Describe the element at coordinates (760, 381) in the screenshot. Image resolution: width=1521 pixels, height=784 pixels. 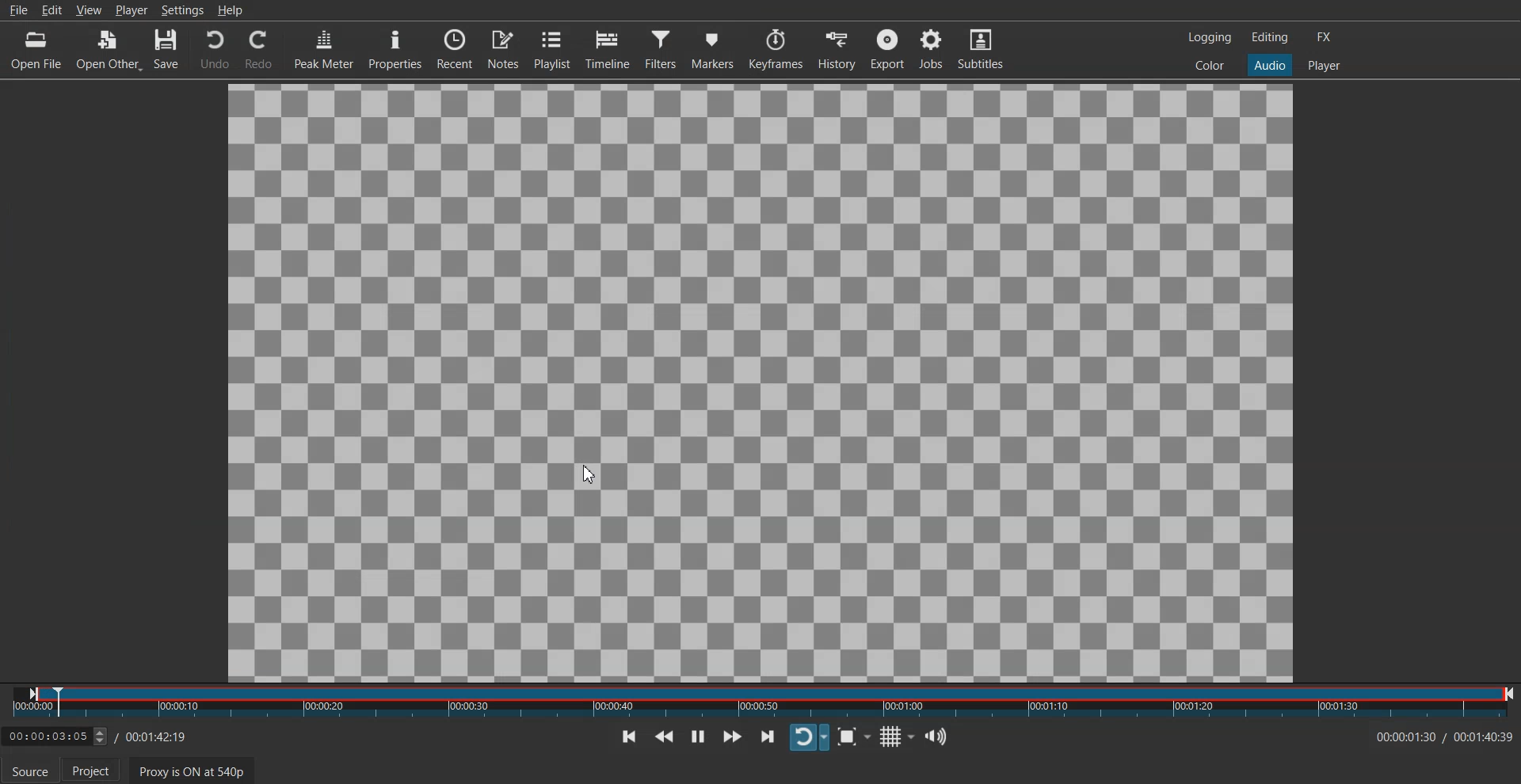
I see `File Preview` at that location.